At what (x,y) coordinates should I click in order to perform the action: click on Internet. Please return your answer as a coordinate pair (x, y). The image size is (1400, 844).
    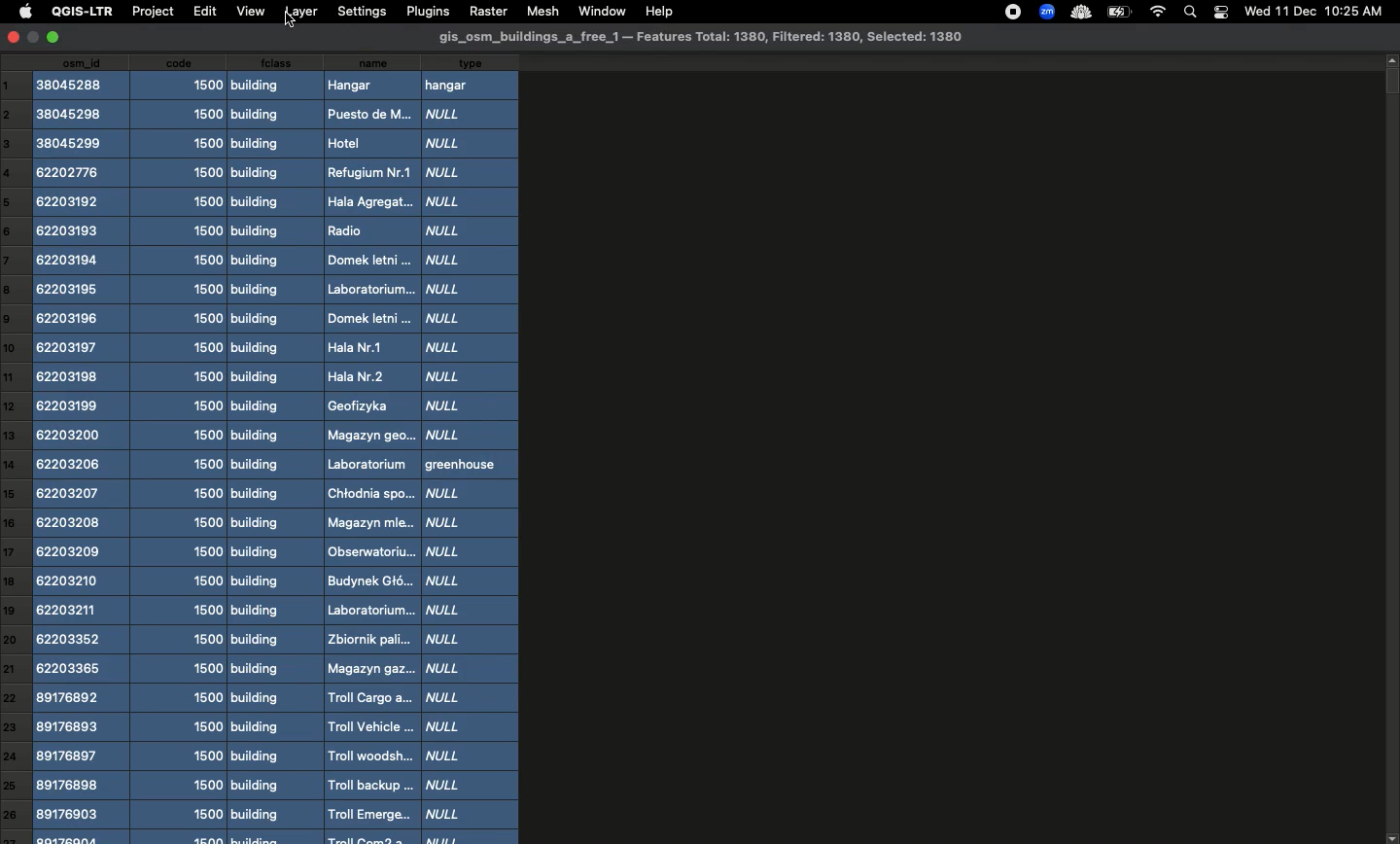
    Looking at the image, I should click on (1157, 12).